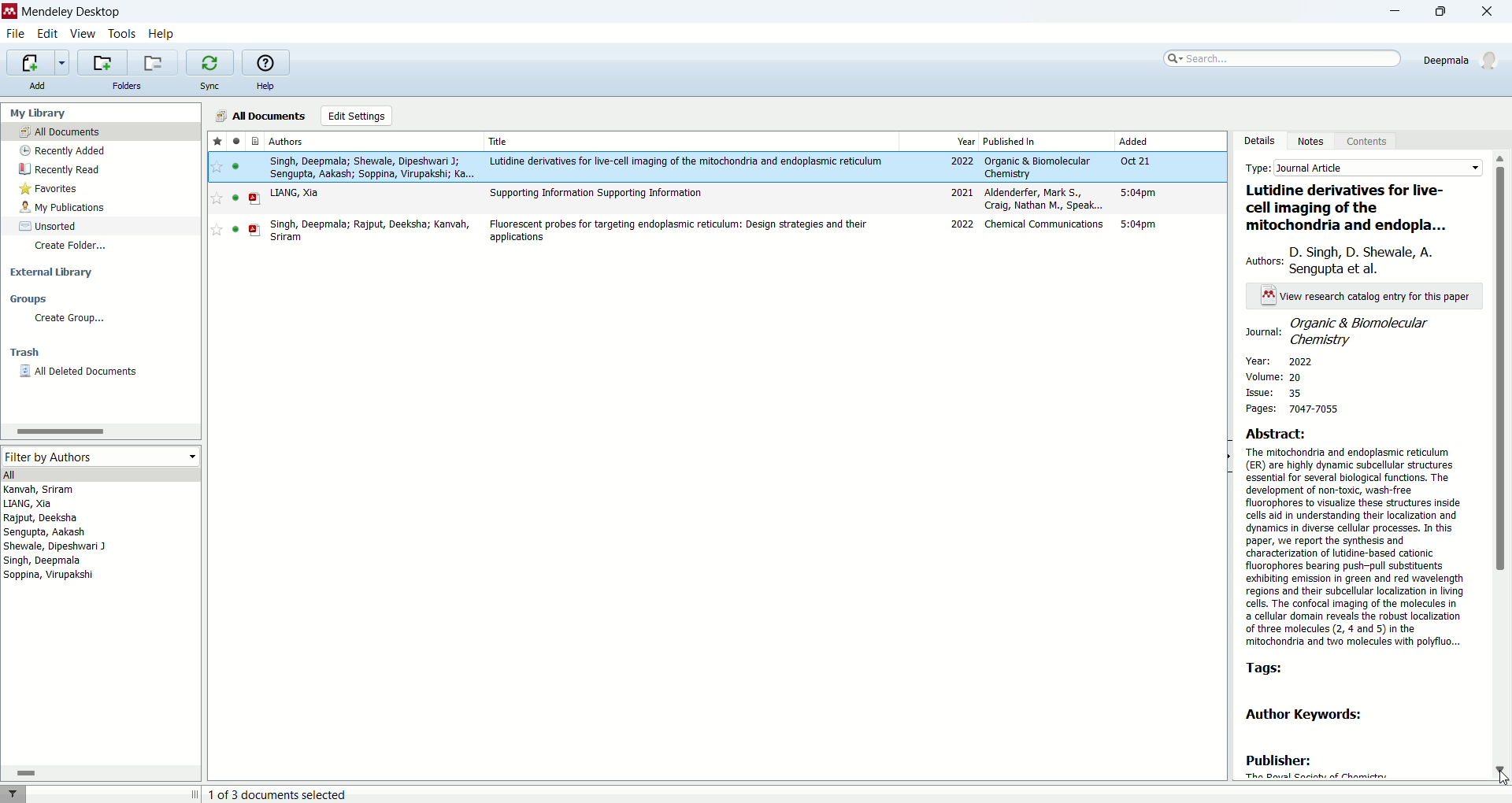  Describe the element at coordinates (235, 166) in the screenshot. I see `unread` at that location.